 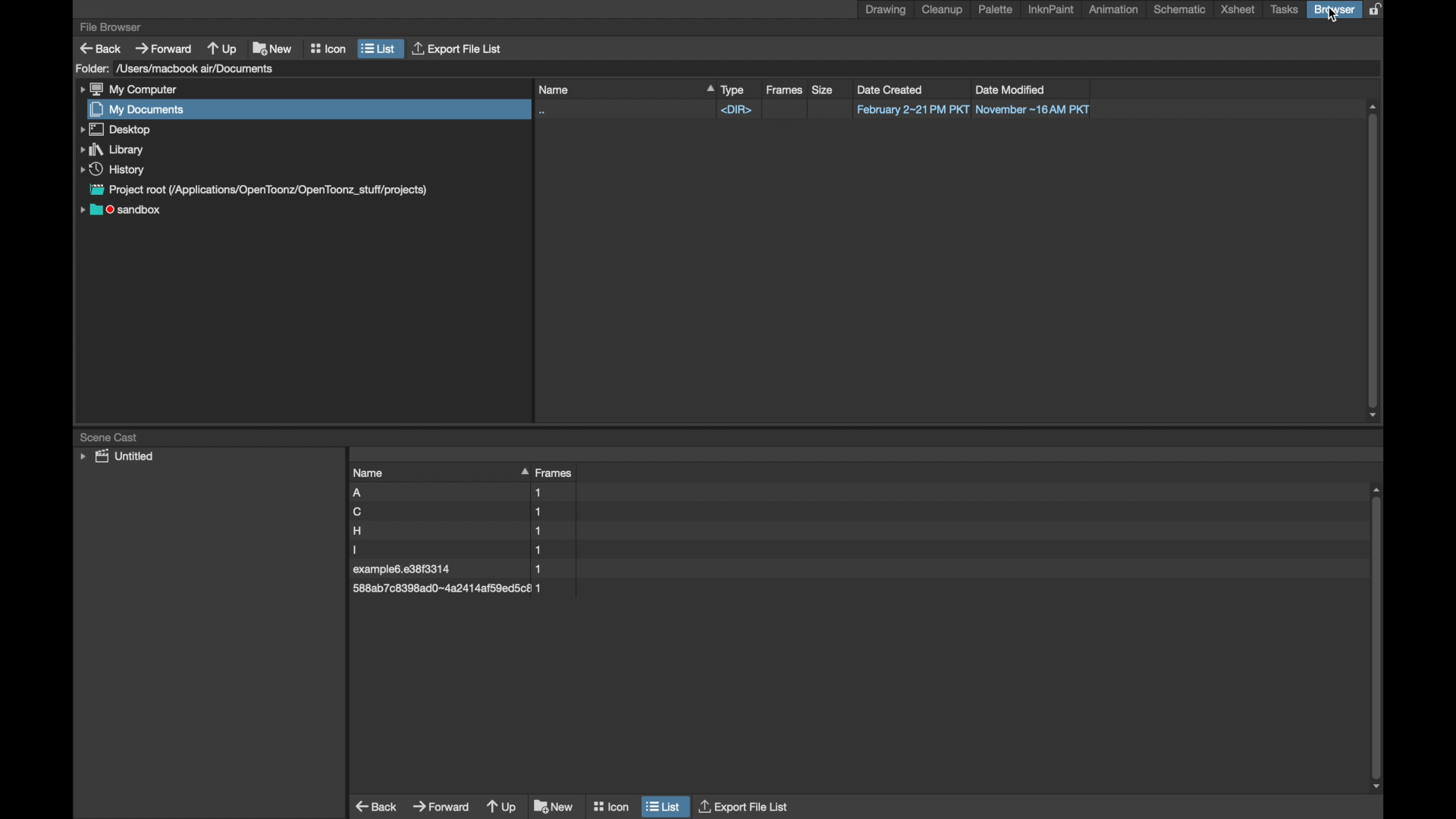 What do you see at coordinates (551, 588) in the screenshot?
I see `1` at bounding box center [551, 588].